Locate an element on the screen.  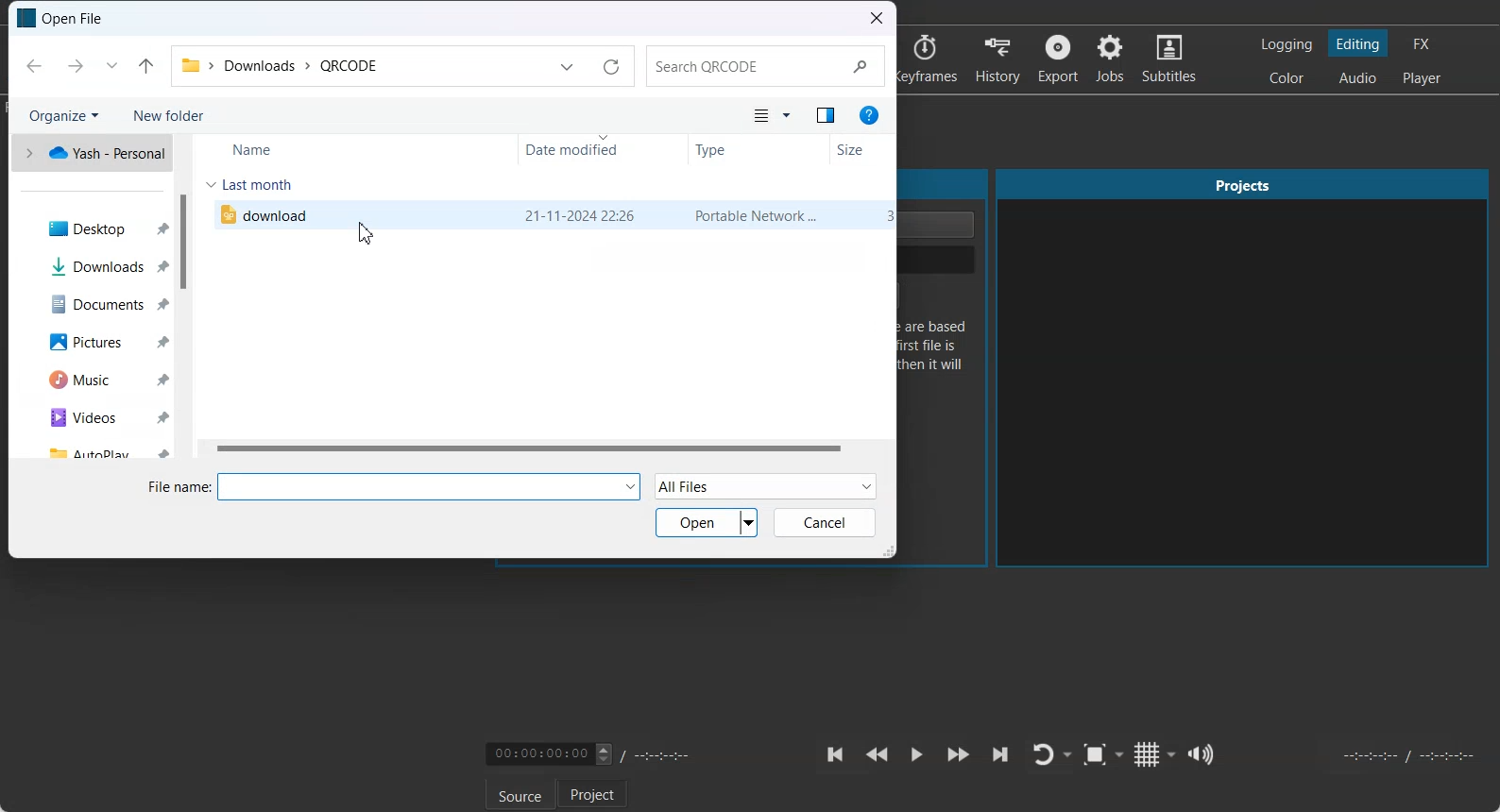
Window Adjuster is located at coordinates (891, 550).